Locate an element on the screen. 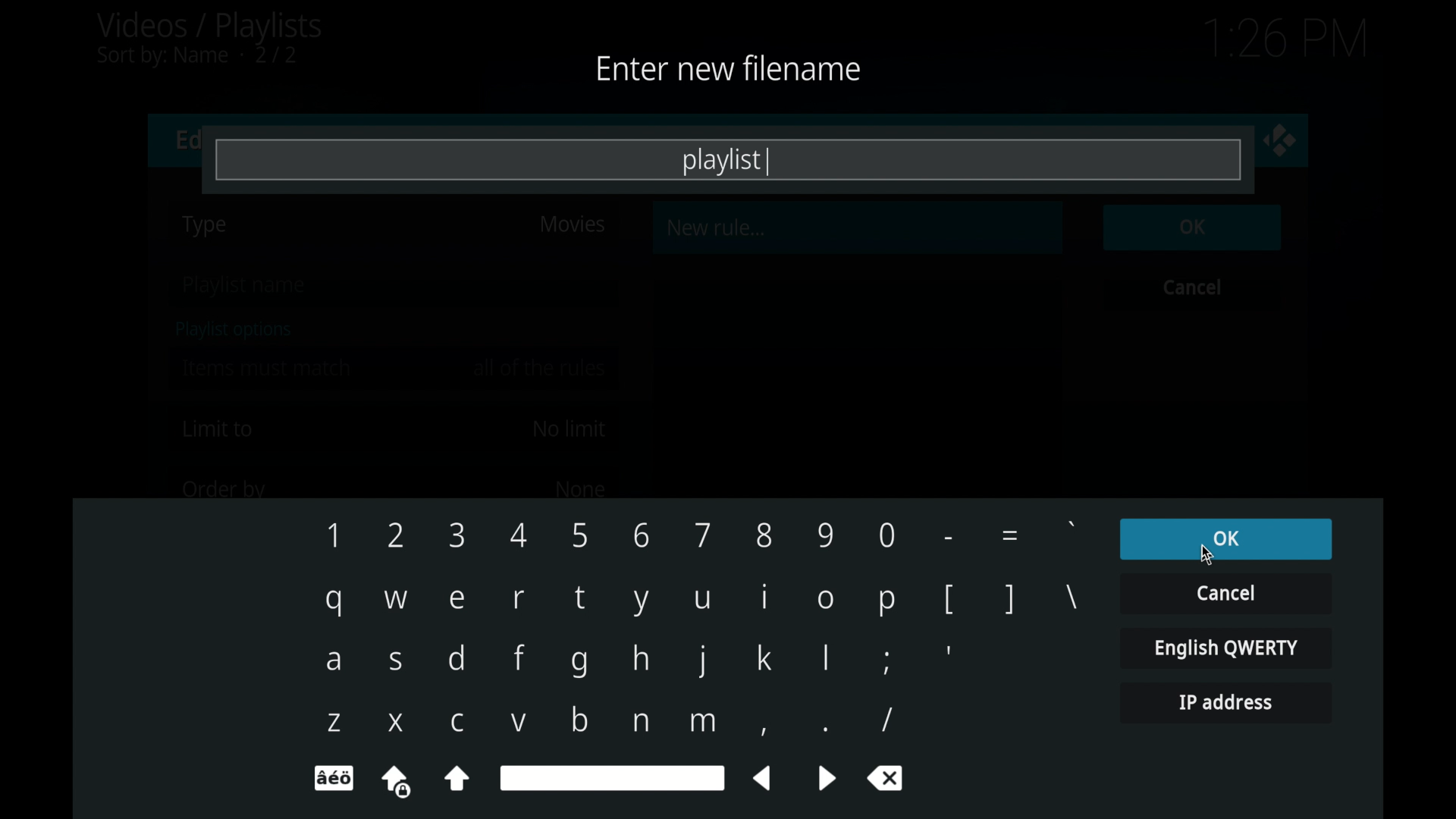 This screenshot has height=819, width=1456. all of the rules is located at coordinates (541, 368).